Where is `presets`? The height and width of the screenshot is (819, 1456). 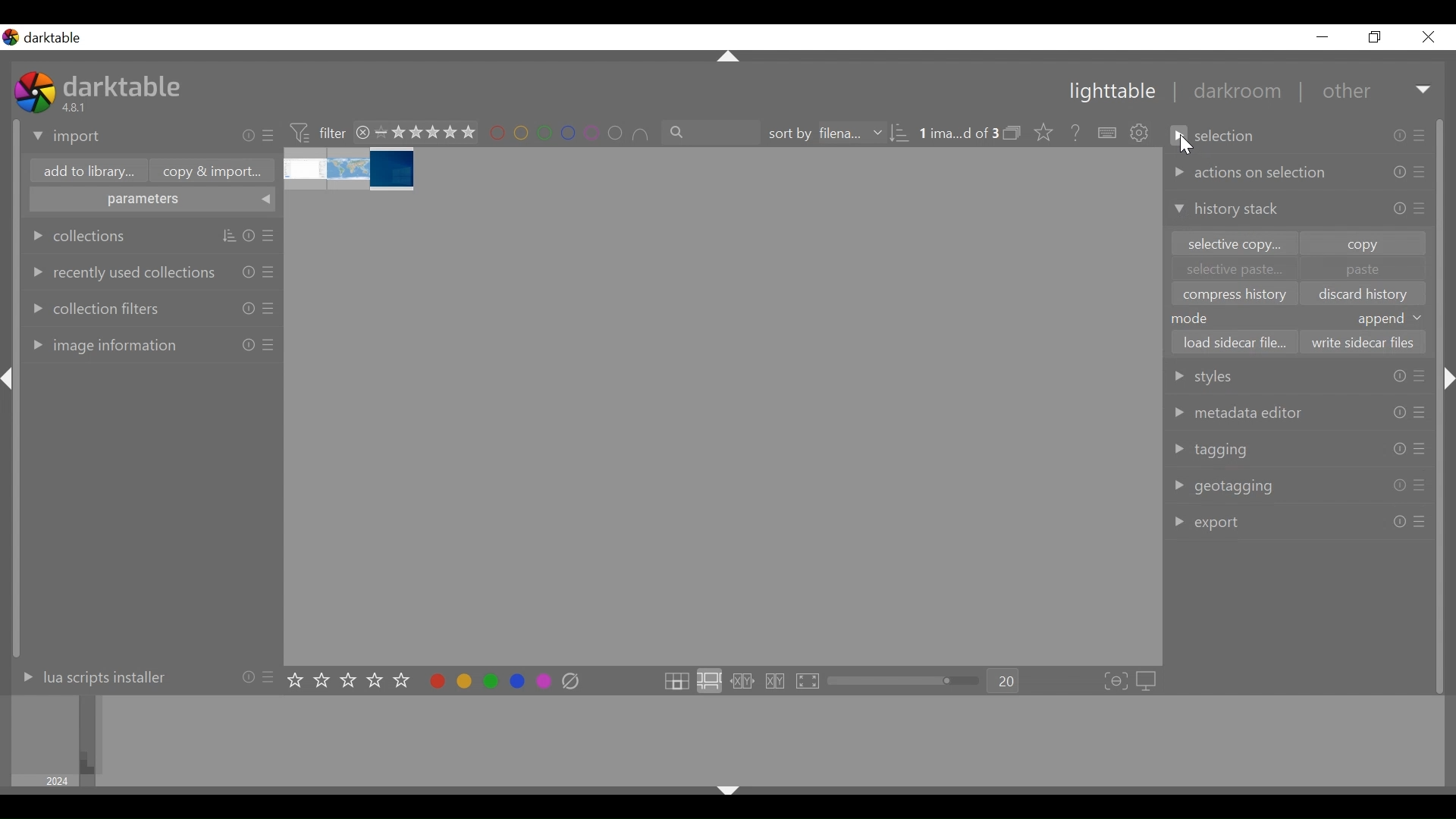
presets is located at coordinates (1420, 450).